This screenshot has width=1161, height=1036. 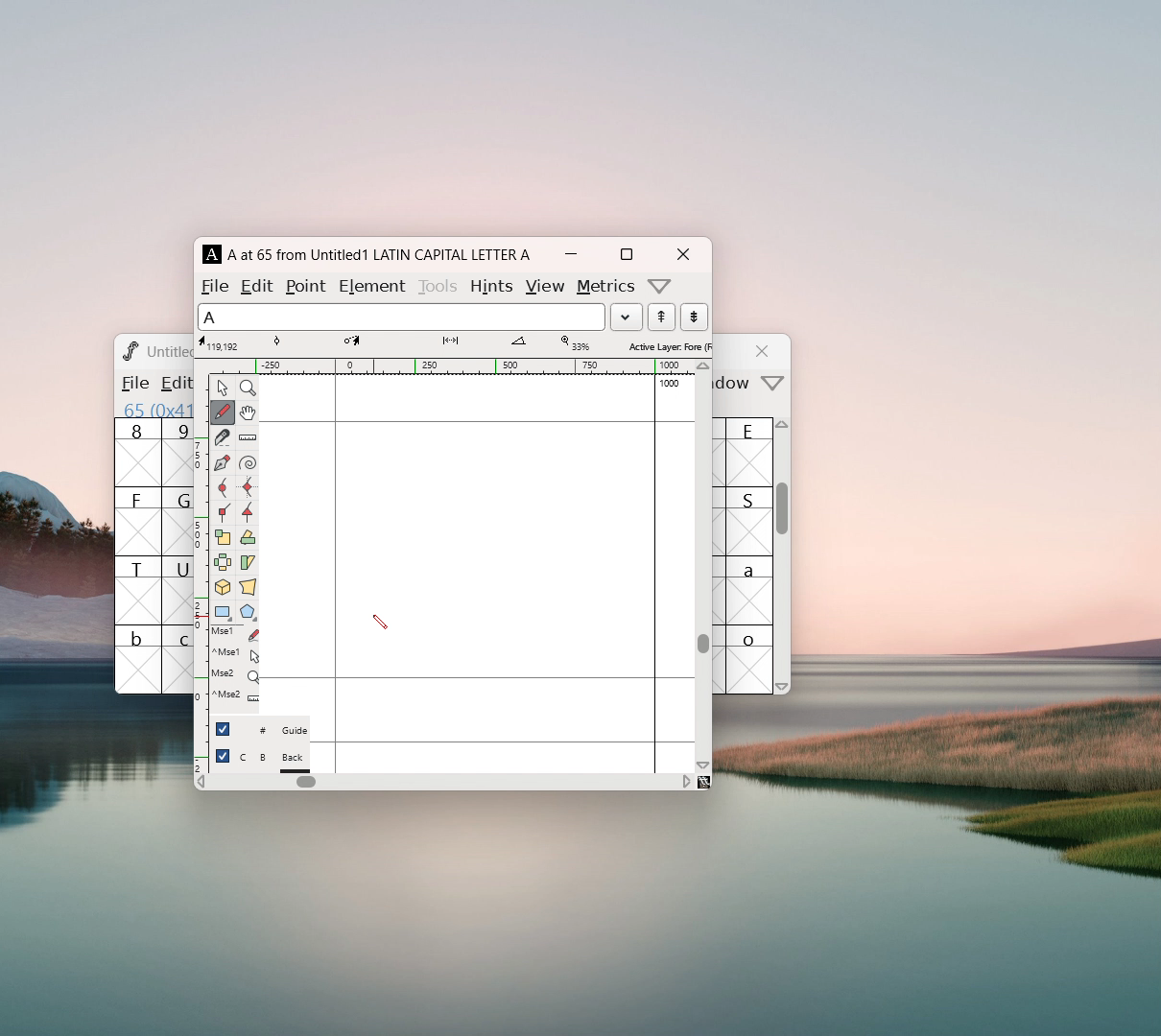 I want to click on measure distance, angle between points, so click(x=248, y=438).